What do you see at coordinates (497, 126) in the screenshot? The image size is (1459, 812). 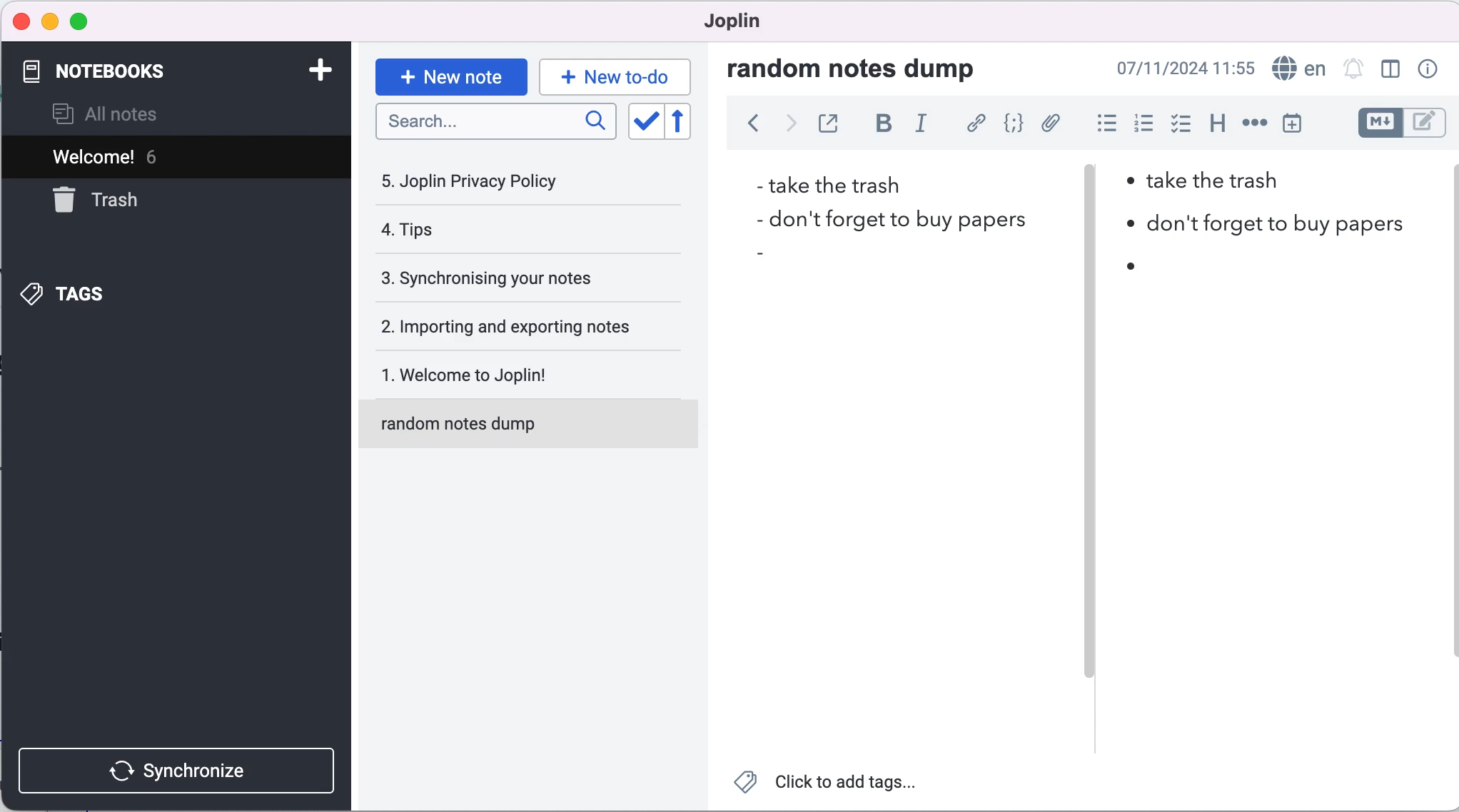 I see `search` at bounding box center [497, 126].